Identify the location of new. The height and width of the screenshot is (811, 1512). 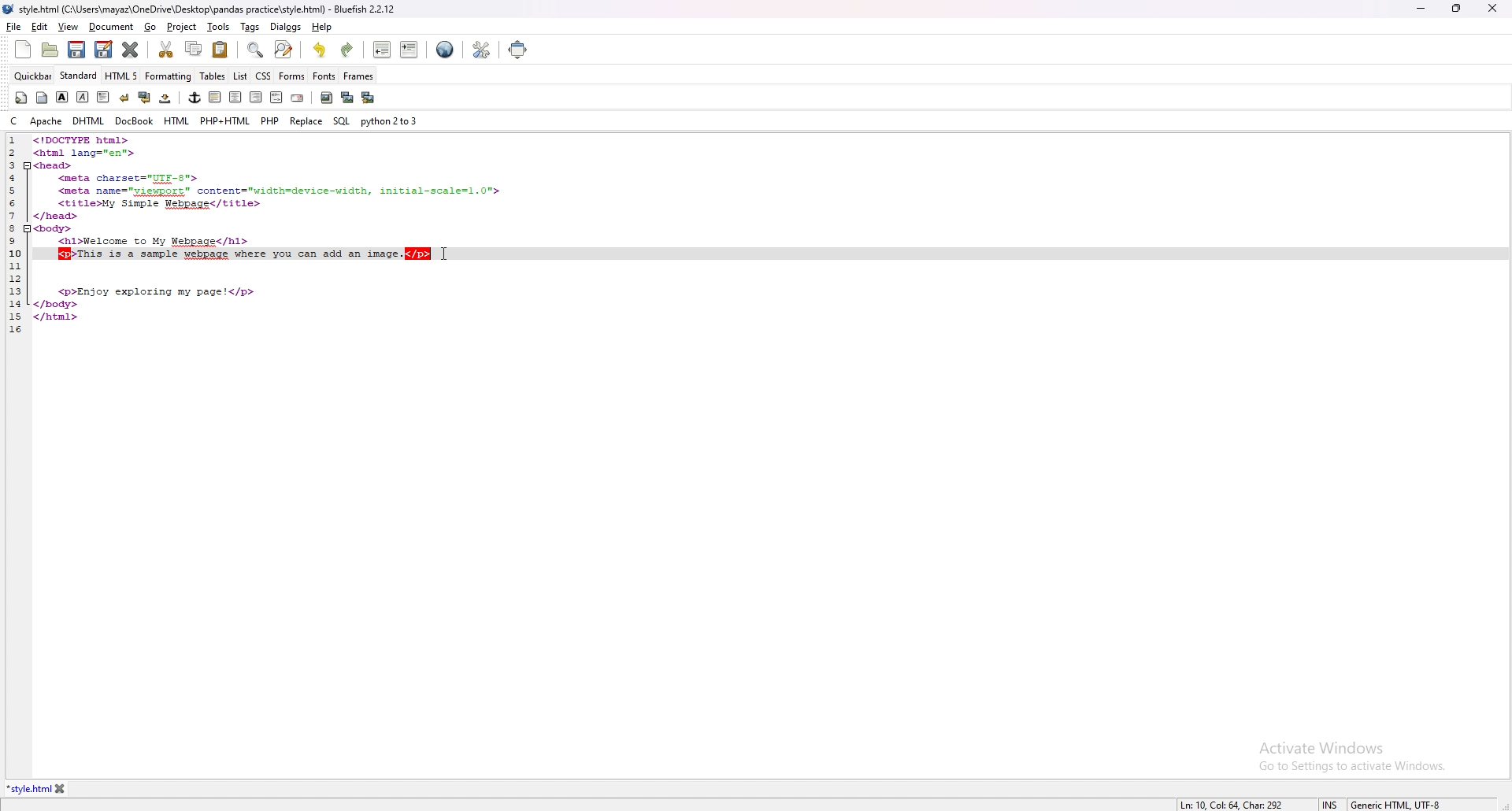
(24, 50).